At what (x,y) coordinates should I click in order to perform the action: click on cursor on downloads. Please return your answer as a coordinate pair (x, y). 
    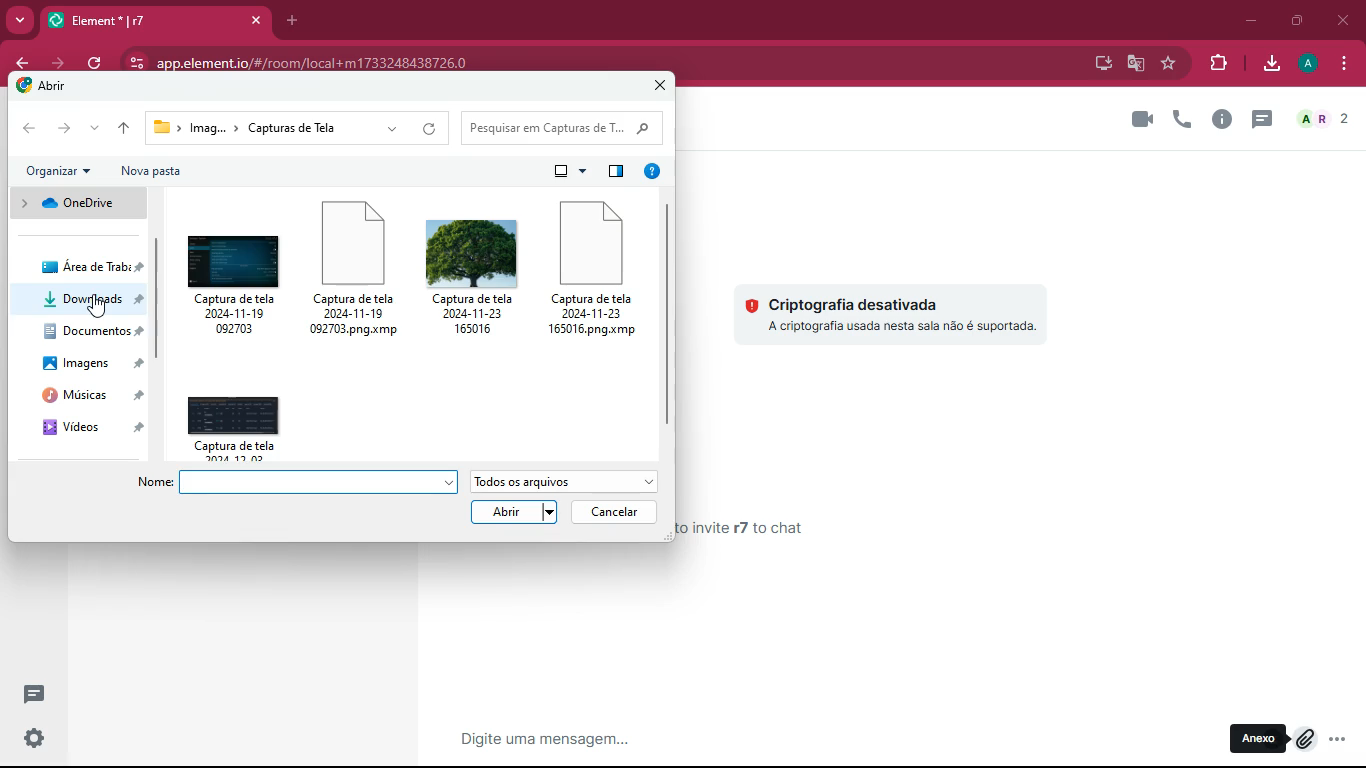
    Looking at the image, I should click on (101, 309).